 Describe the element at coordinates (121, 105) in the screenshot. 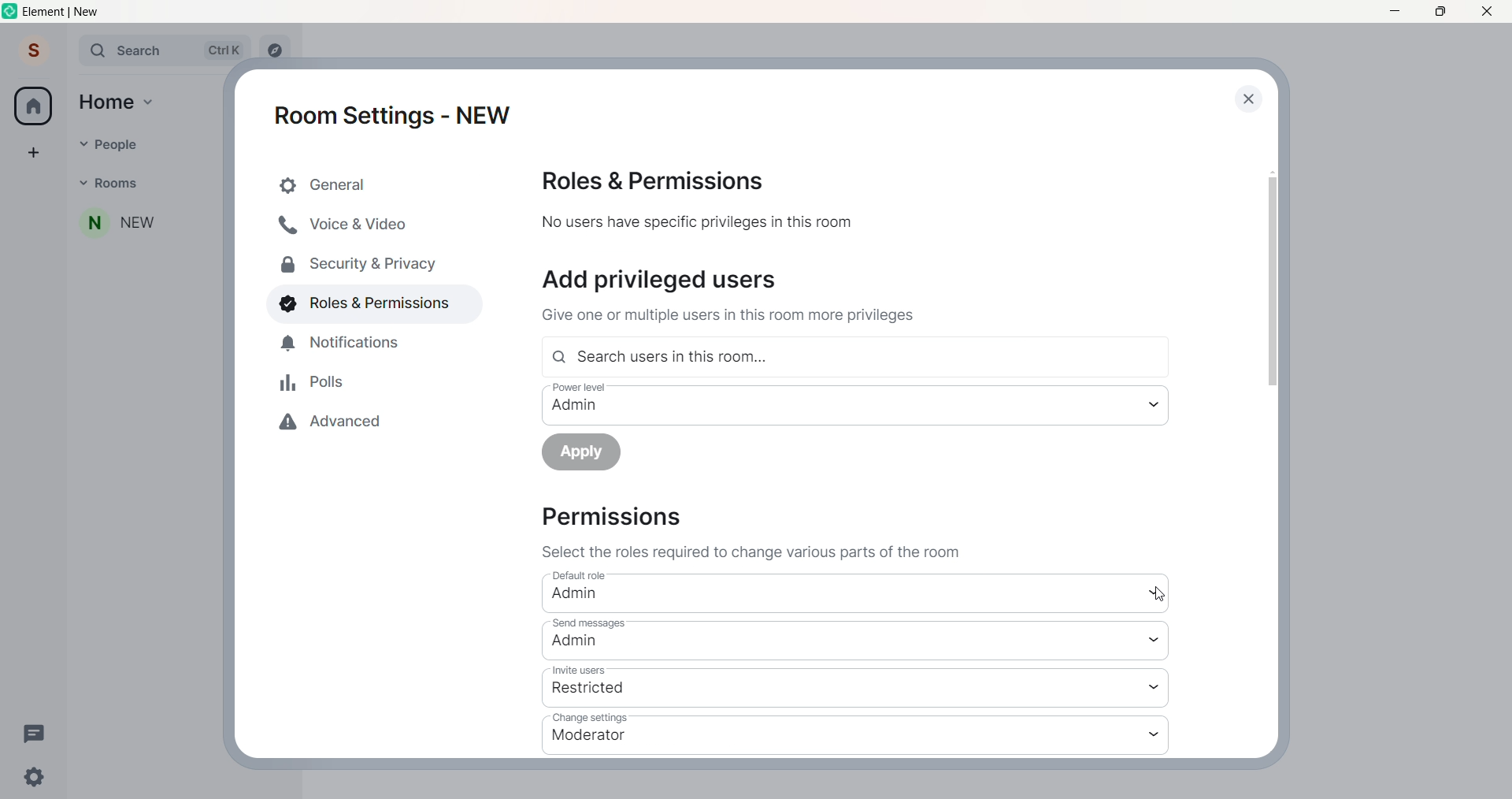

I see `home option` at that location.